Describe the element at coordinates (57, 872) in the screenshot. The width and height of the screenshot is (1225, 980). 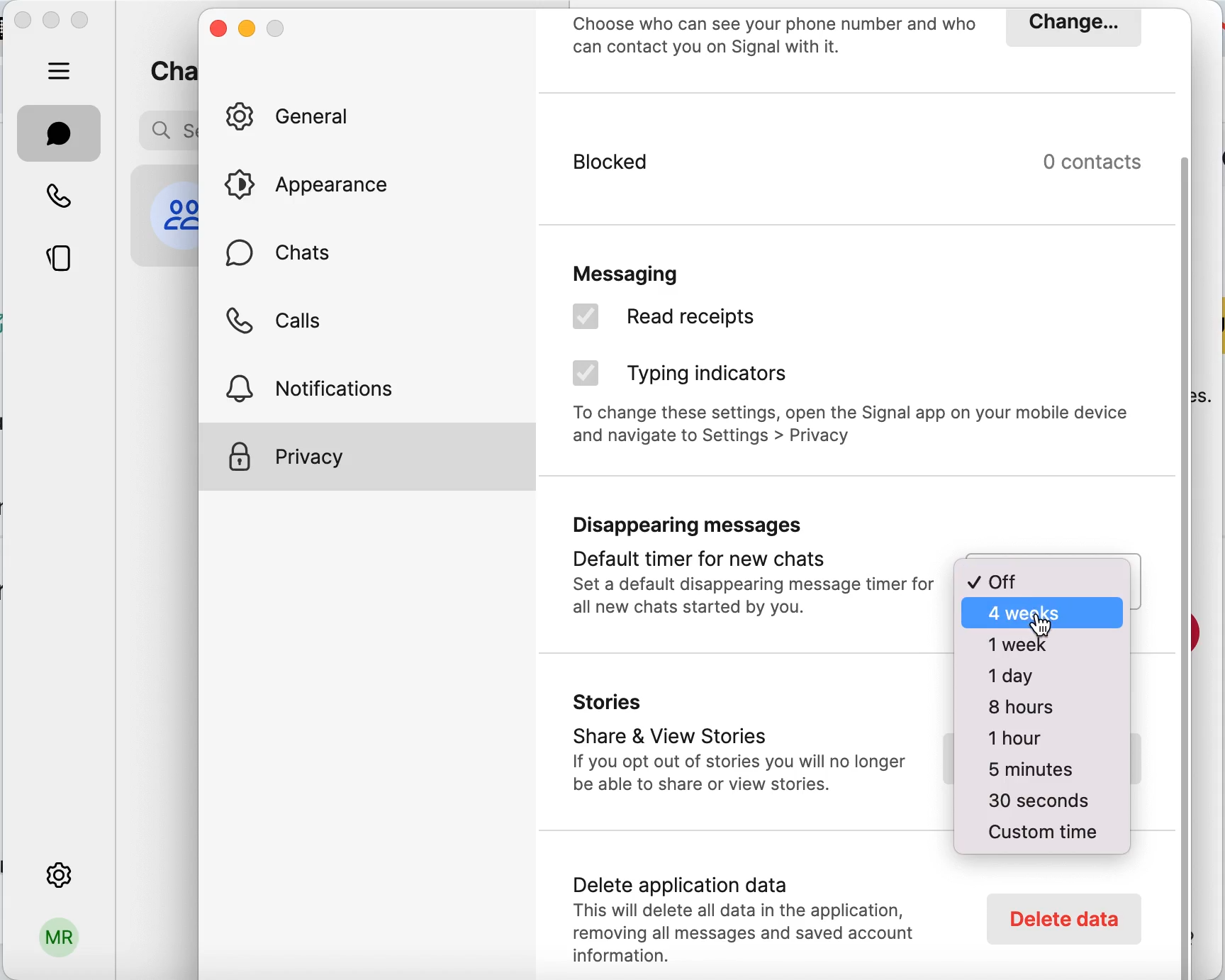
I see `settings` at that location.